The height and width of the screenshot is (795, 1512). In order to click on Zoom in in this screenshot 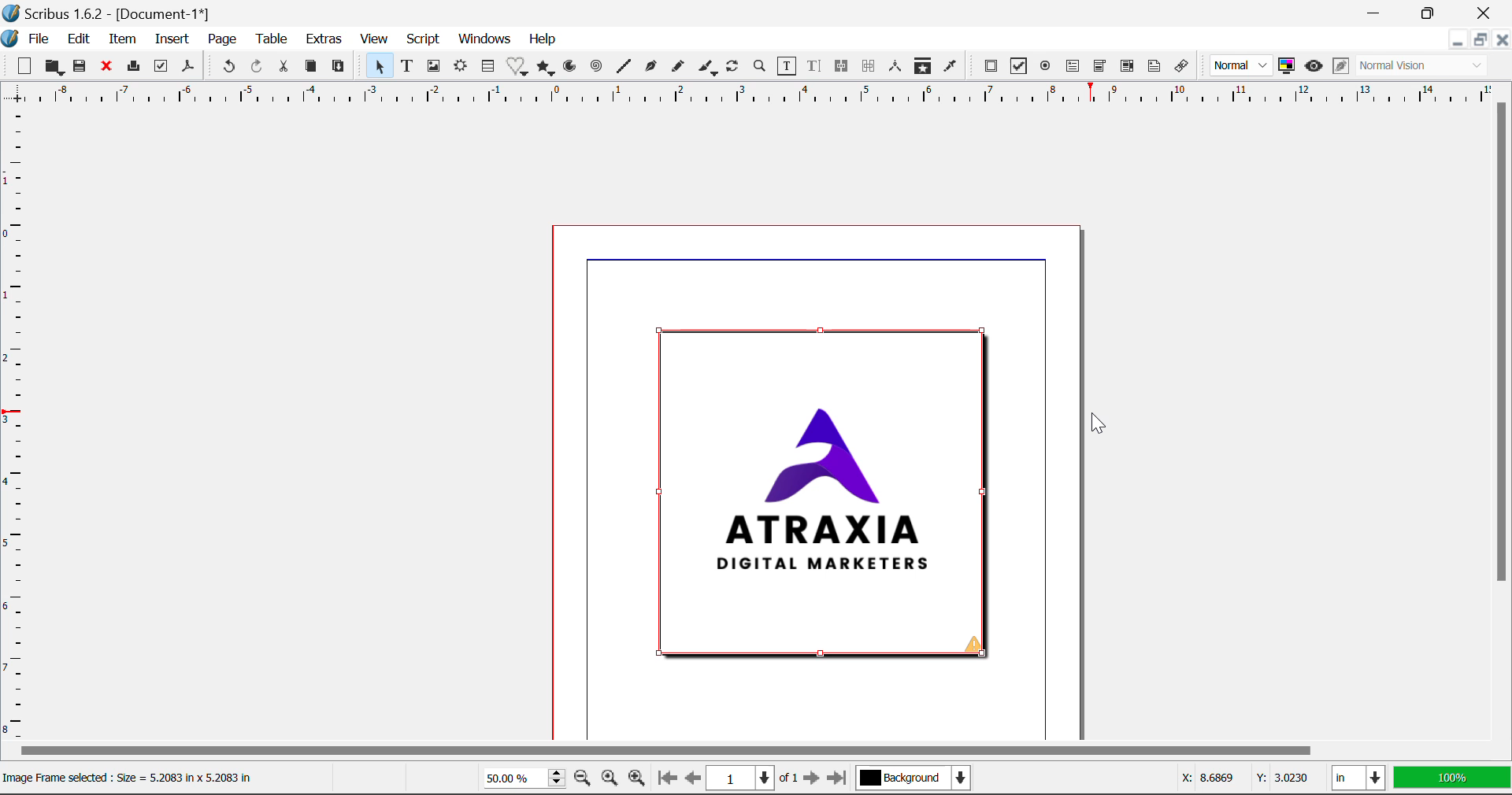, I will do `click(638, 779)`.